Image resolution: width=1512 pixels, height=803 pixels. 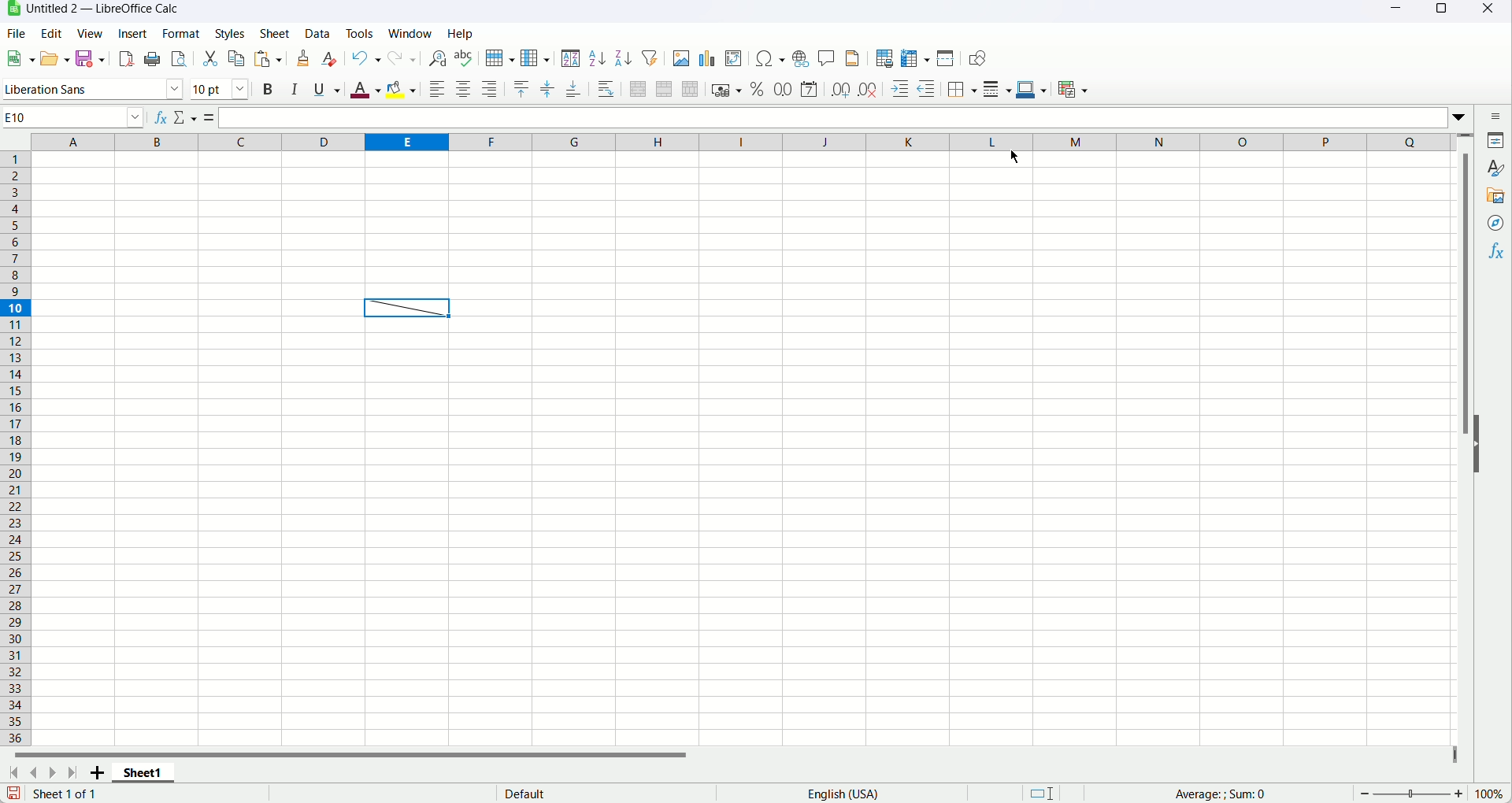 I want to click on Add new sheet, so click(x=96, y=774).